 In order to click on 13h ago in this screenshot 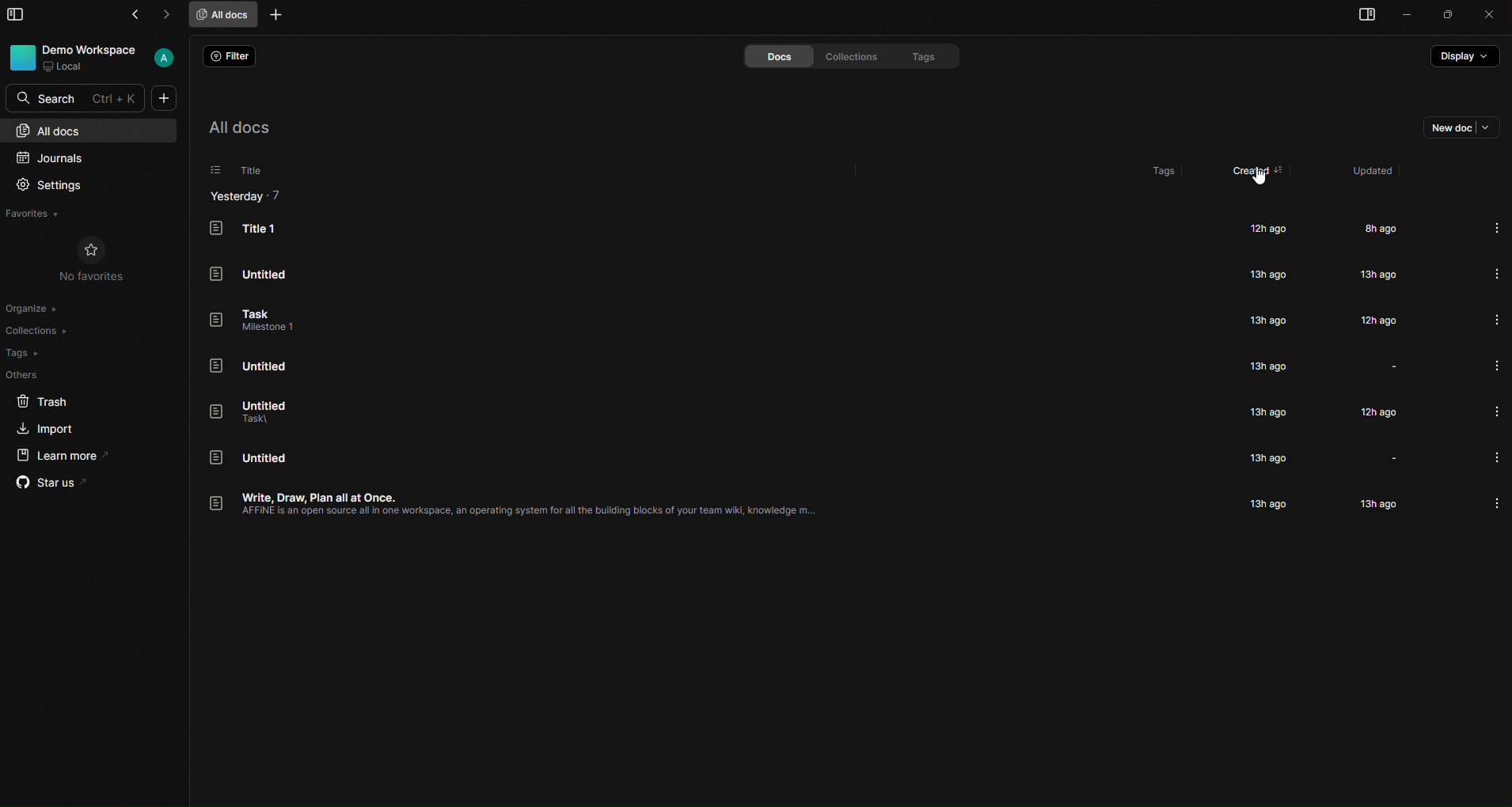, I will do `click(1265, 367)`.